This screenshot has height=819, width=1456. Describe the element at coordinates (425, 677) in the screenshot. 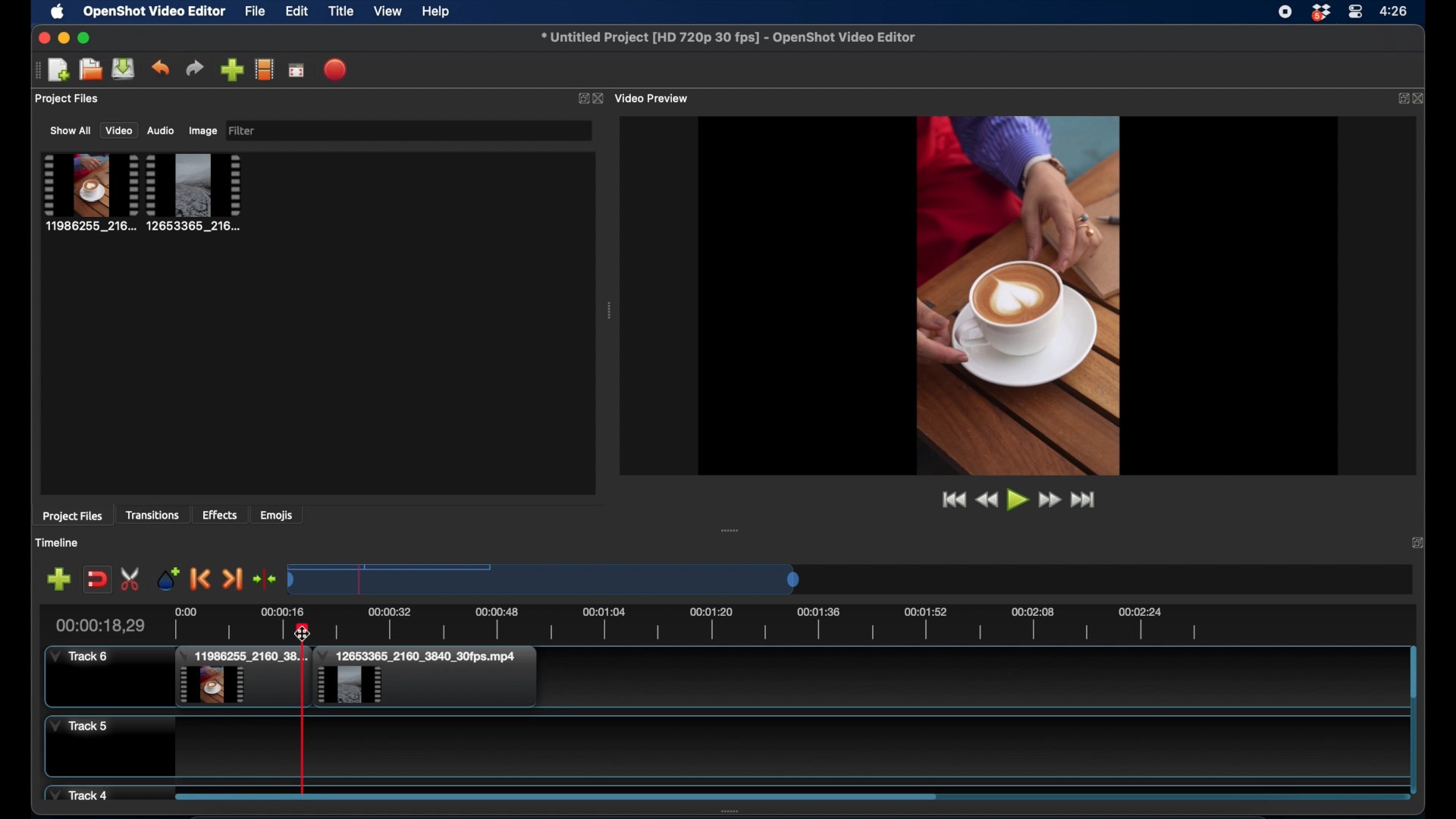

I see `clip` at that location.